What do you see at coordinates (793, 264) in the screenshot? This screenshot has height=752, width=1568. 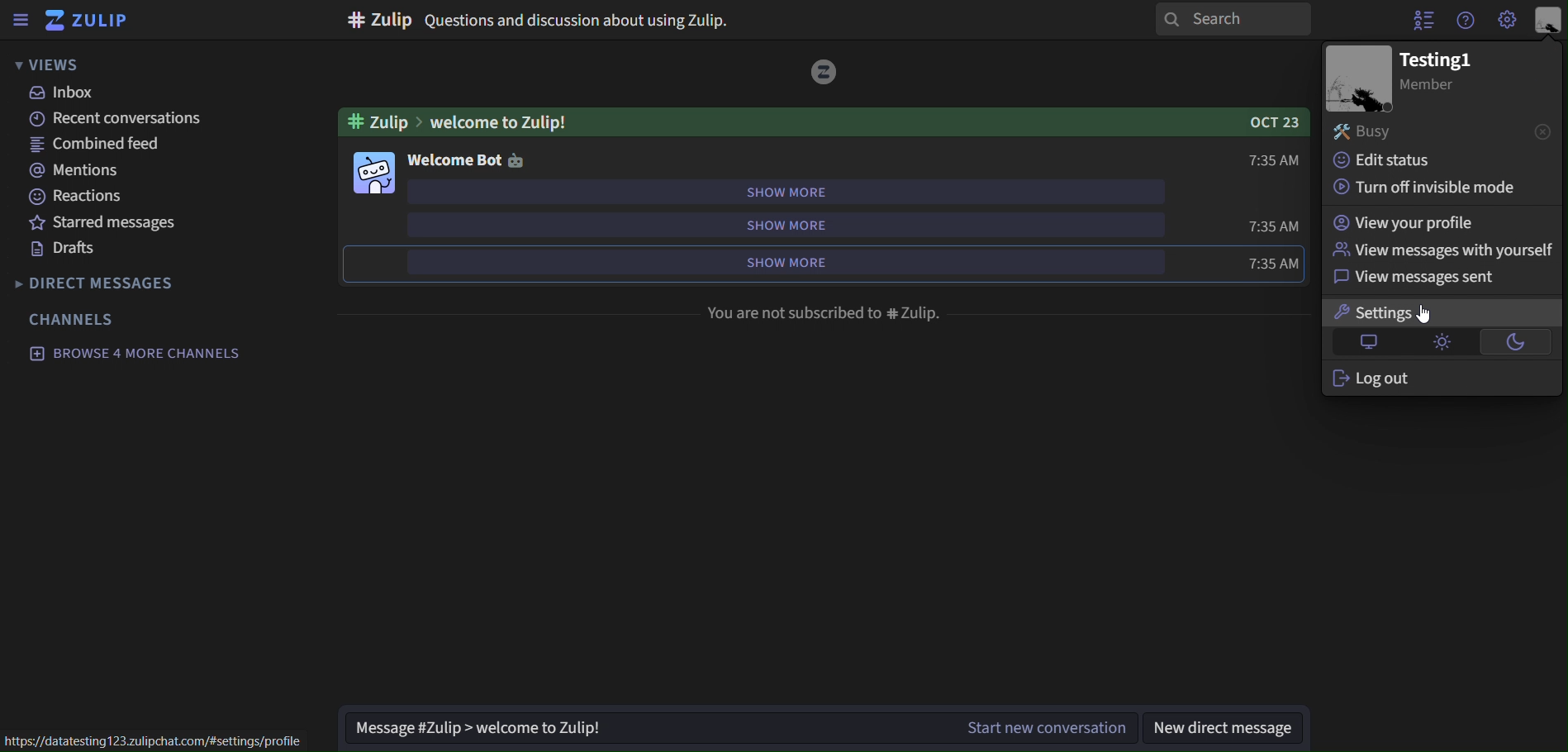 I see `show more` at bounding box center [793, 264].